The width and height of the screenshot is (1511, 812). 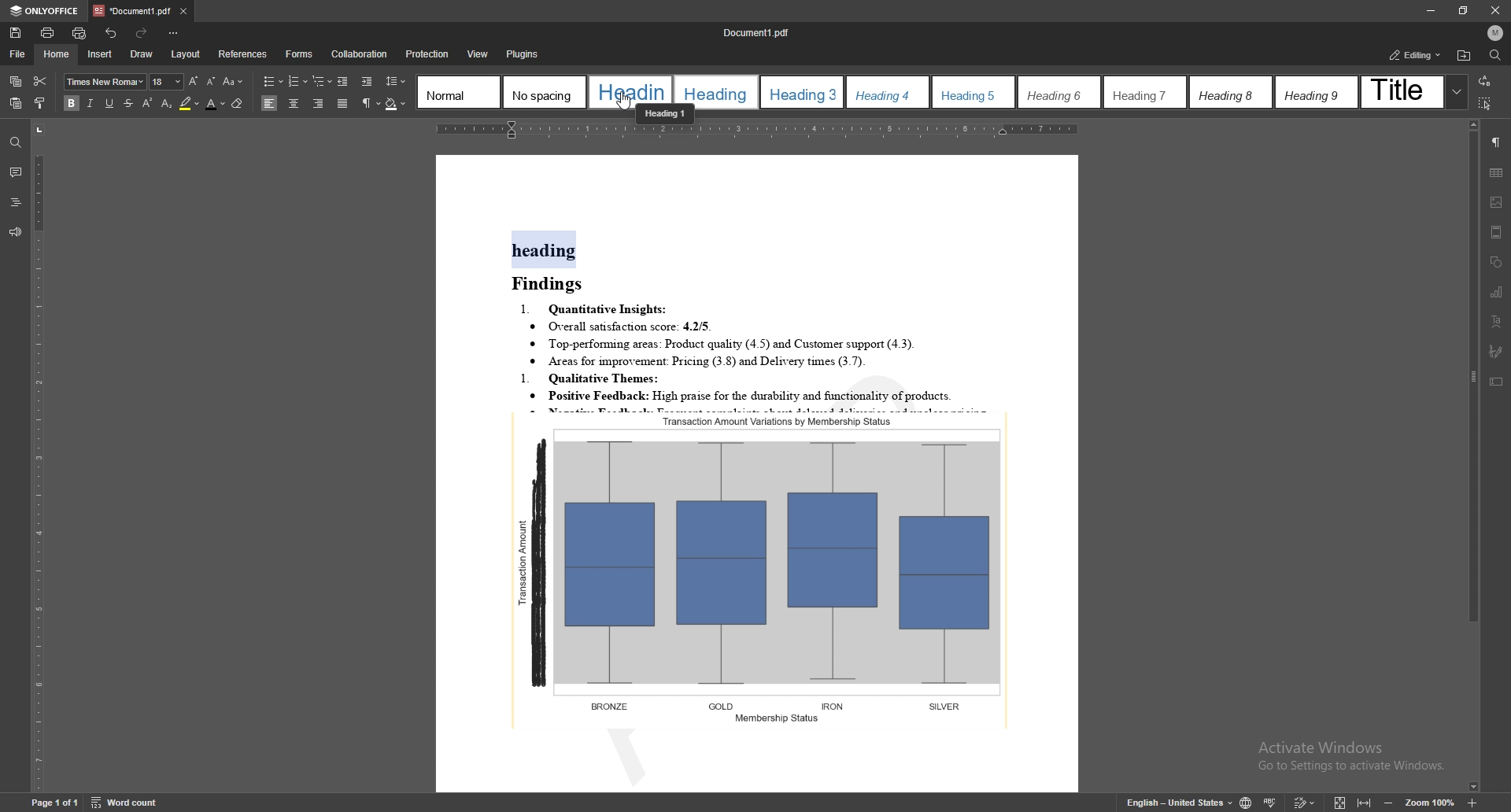 I want to click on 1. Qualitative Themes:, so click(x=598, y=378).